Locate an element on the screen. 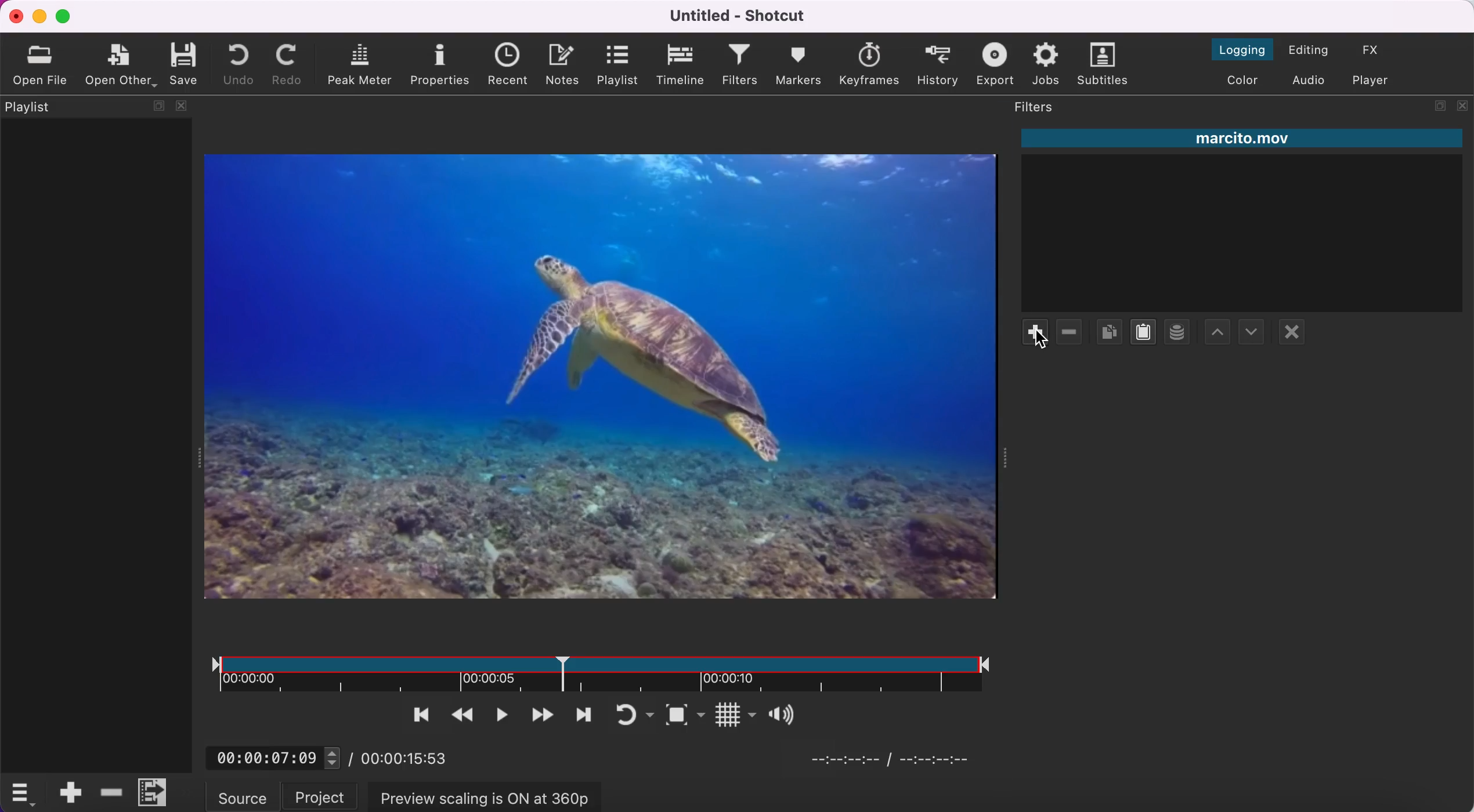  timelime options is located at coordinates (24, 793).